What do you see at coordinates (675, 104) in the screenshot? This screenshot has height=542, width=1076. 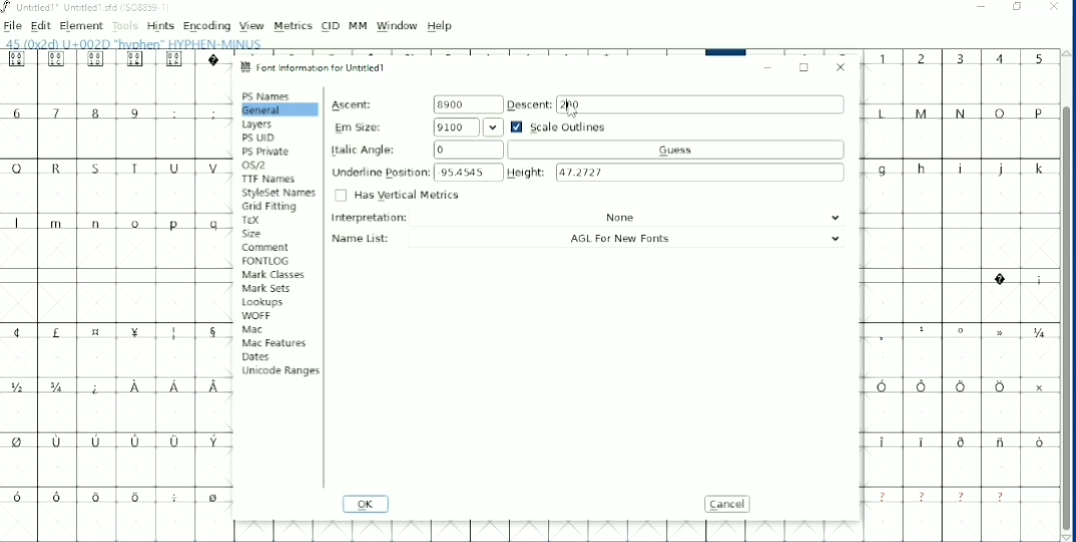 I see `Descent` at bounding box center [675, 104].